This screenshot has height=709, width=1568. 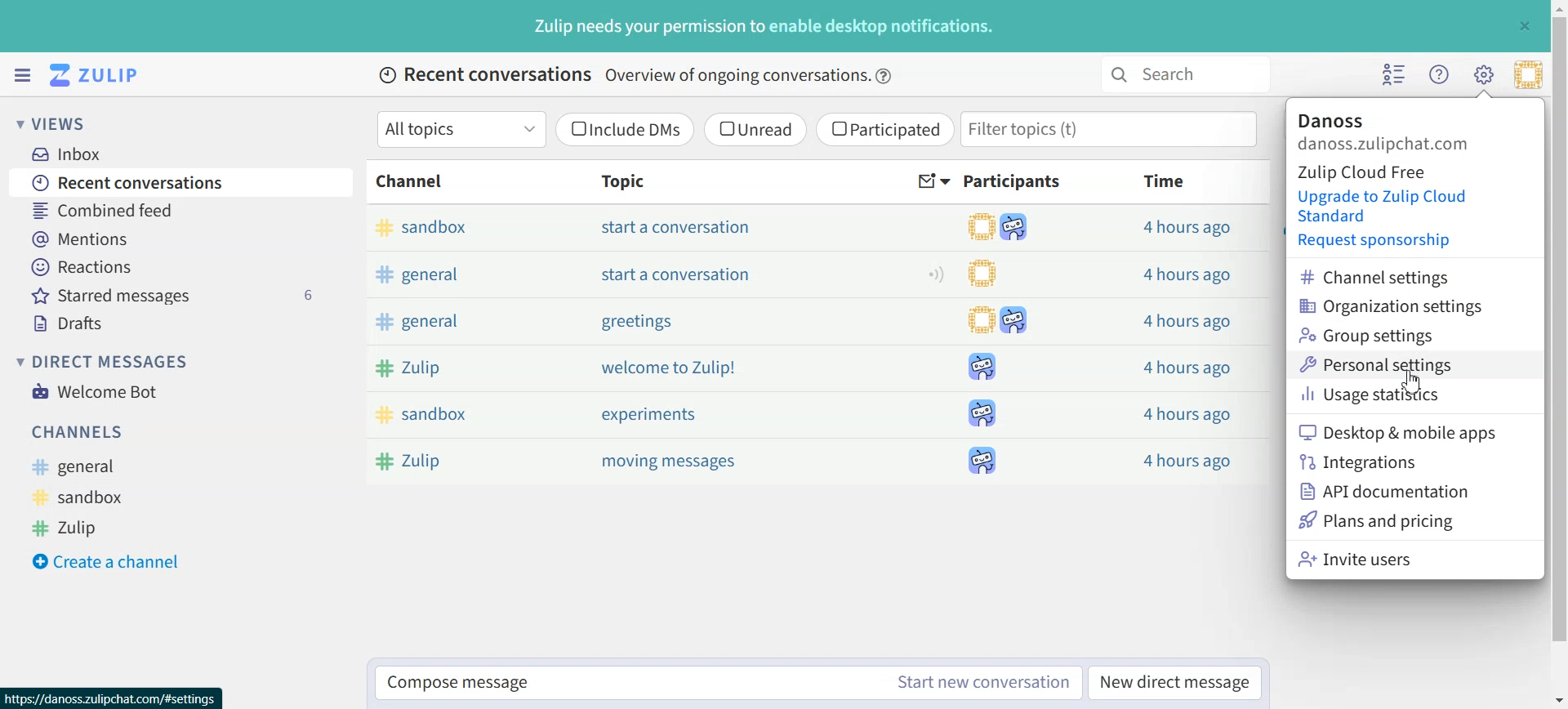 I want to click on Inbox, so click(x=74, y=154).